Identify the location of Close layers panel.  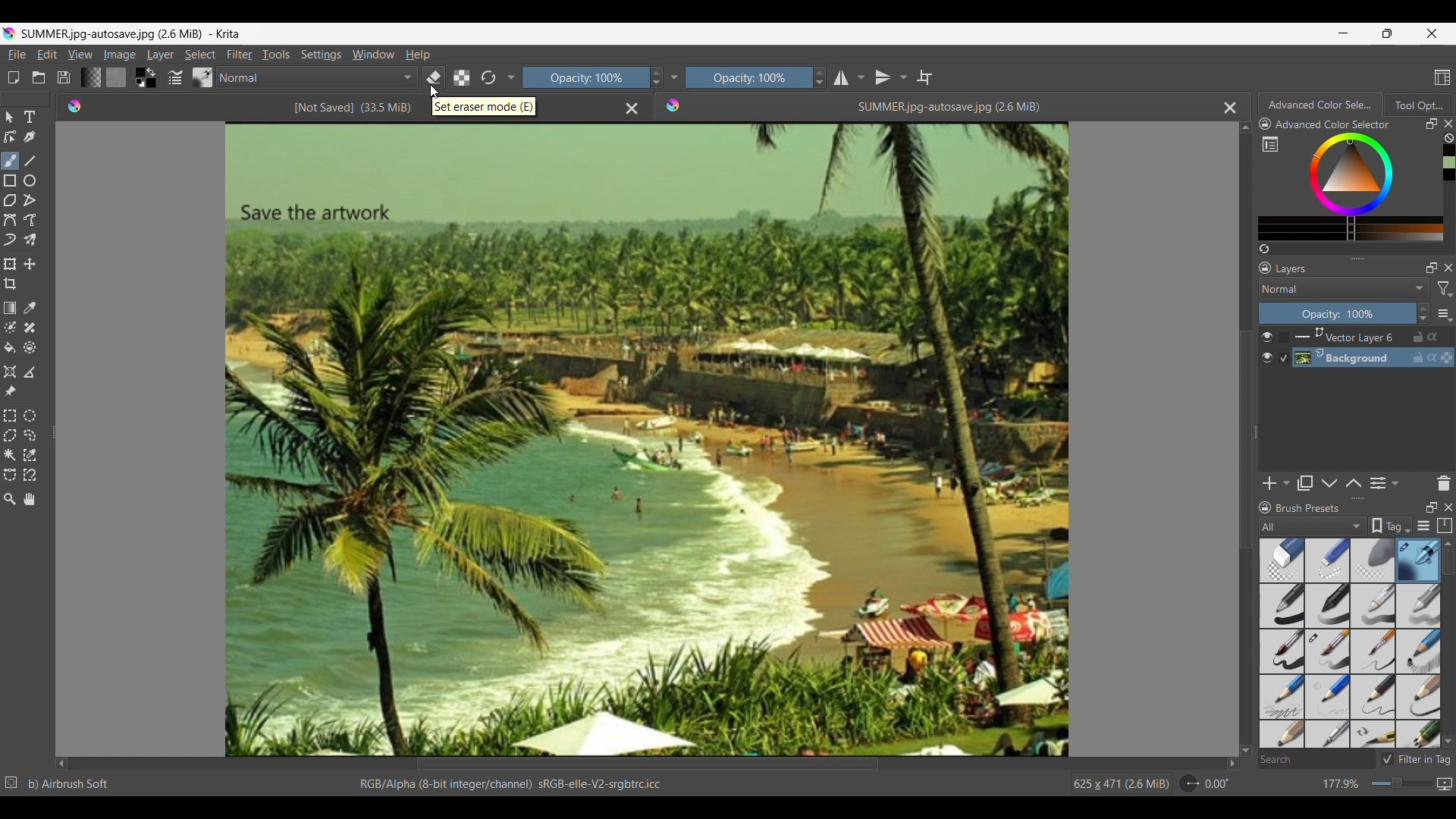
(1446, 268).